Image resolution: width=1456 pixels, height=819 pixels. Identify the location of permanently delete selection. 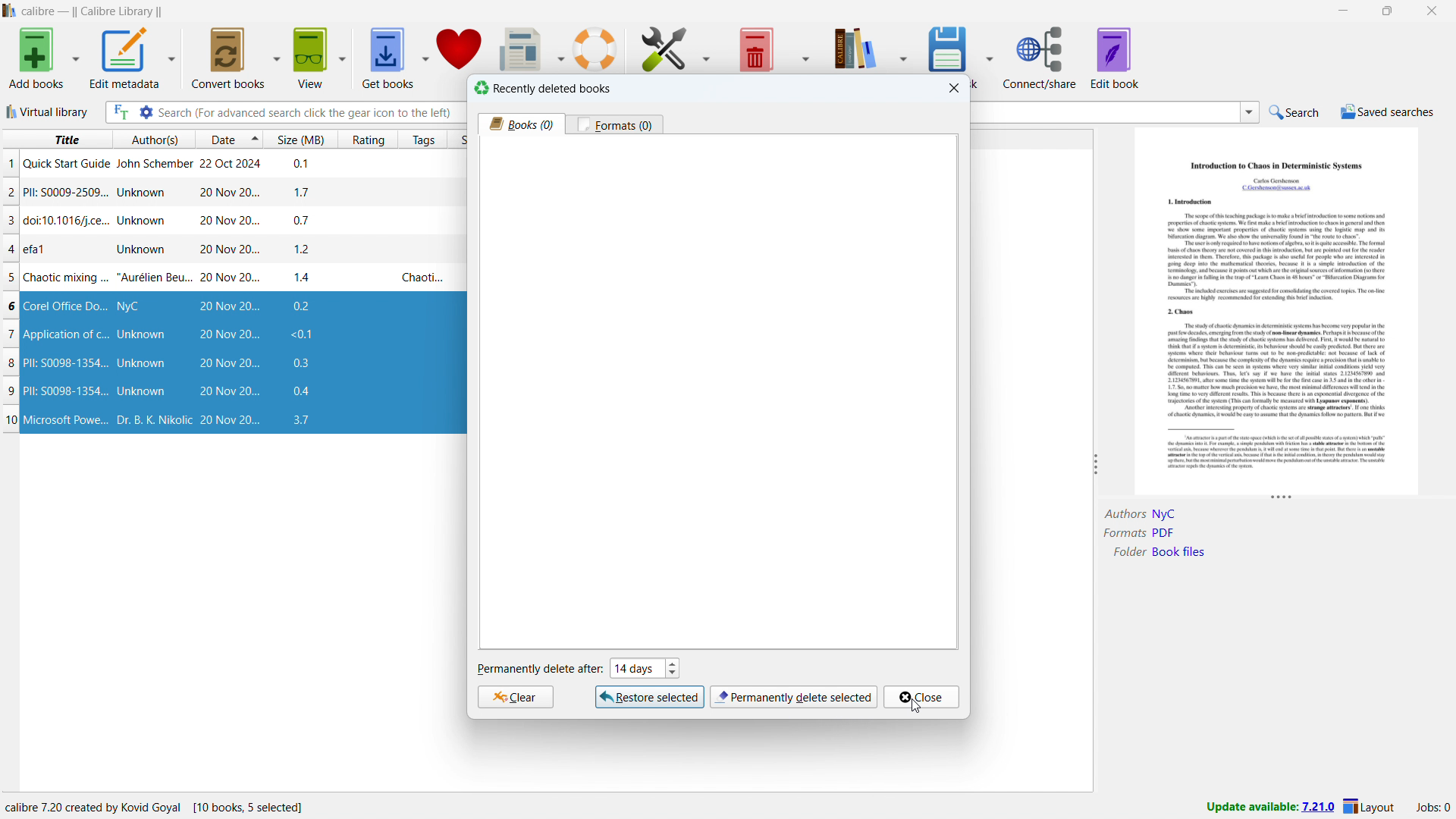
(793, 698).